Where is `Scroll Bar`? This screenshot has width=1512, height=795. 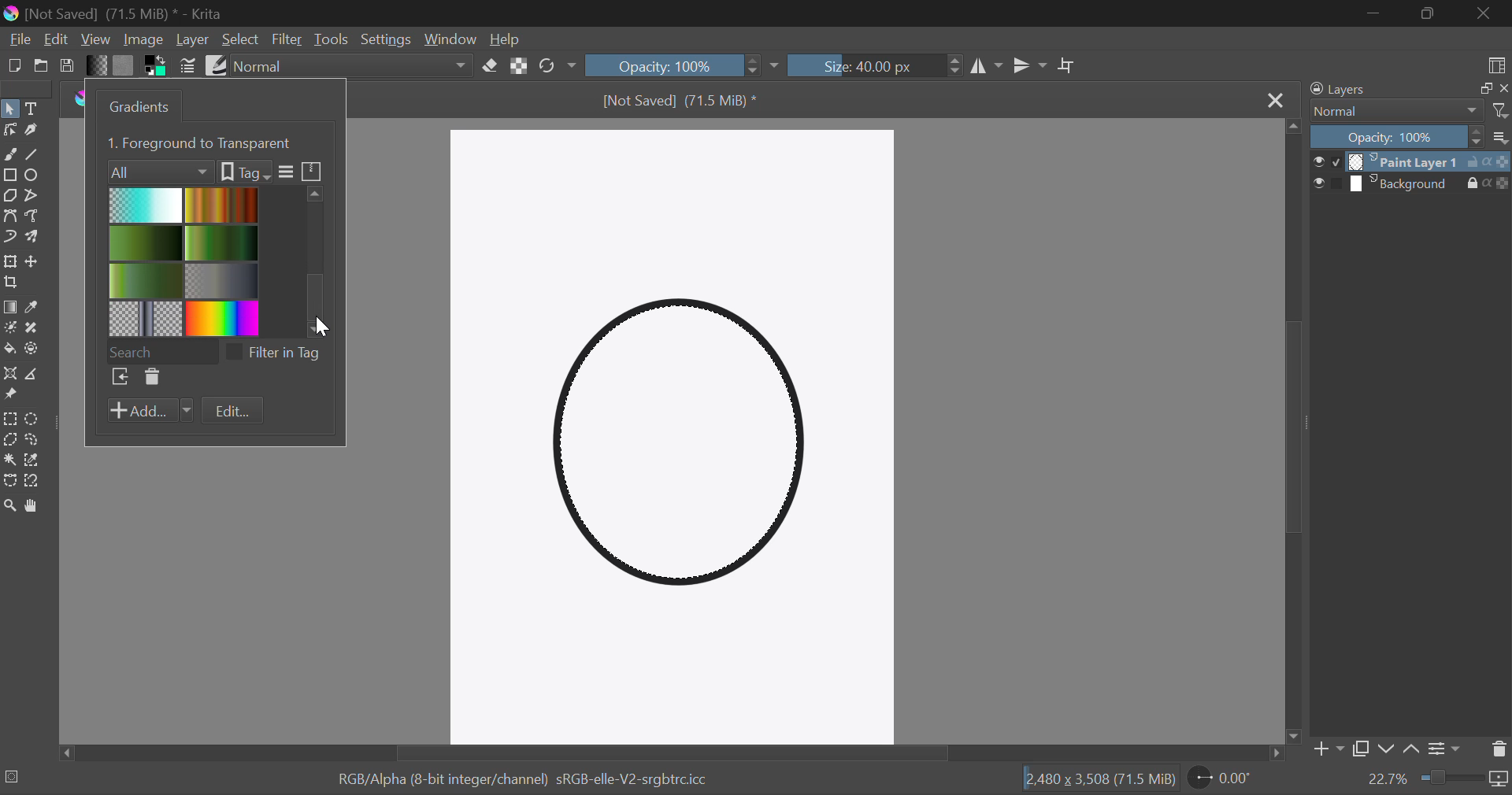 Scroll Bar is located at coordinates (1291, 434).